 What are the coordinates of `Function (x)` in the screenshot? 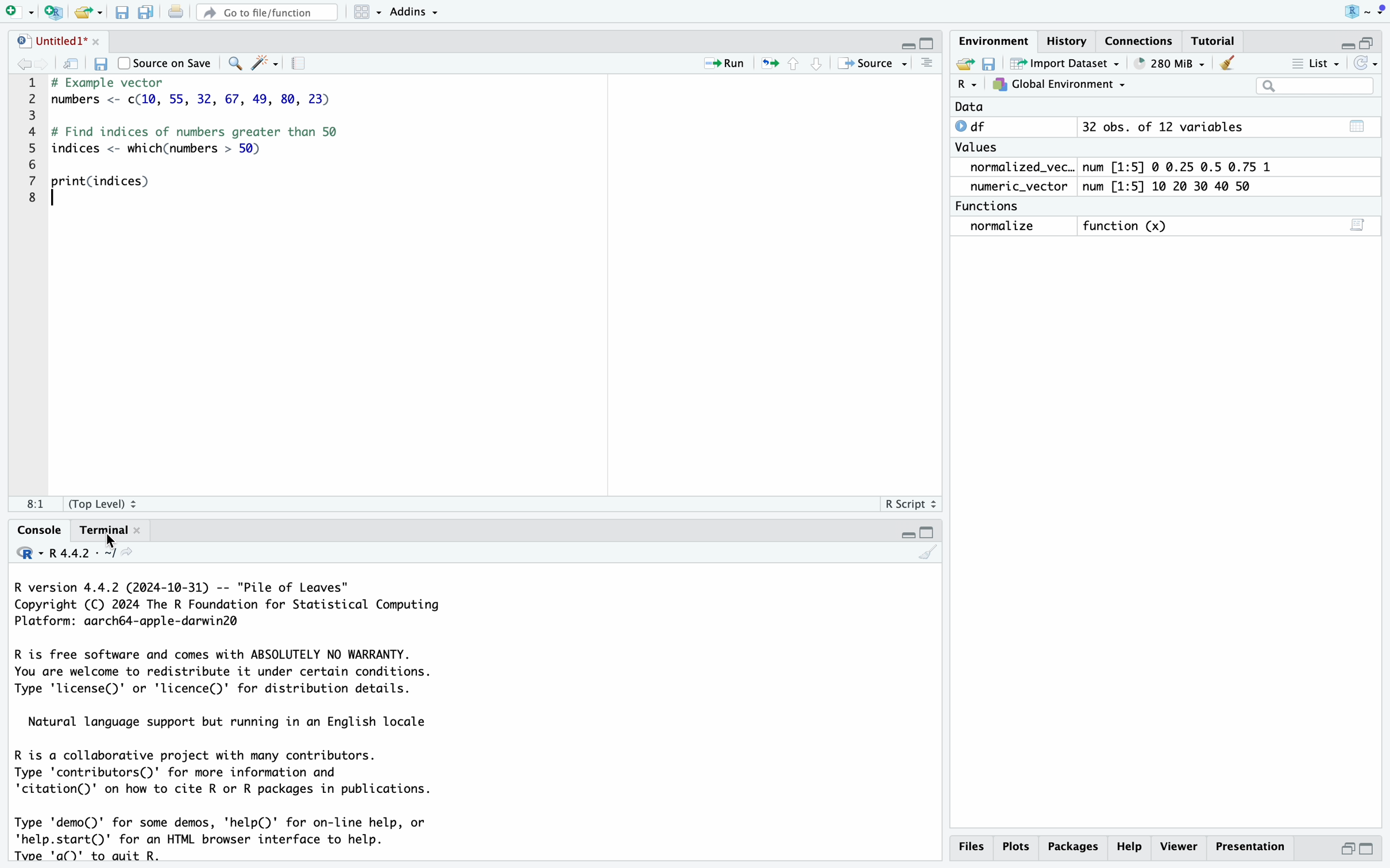 It's located at (1126, 226).